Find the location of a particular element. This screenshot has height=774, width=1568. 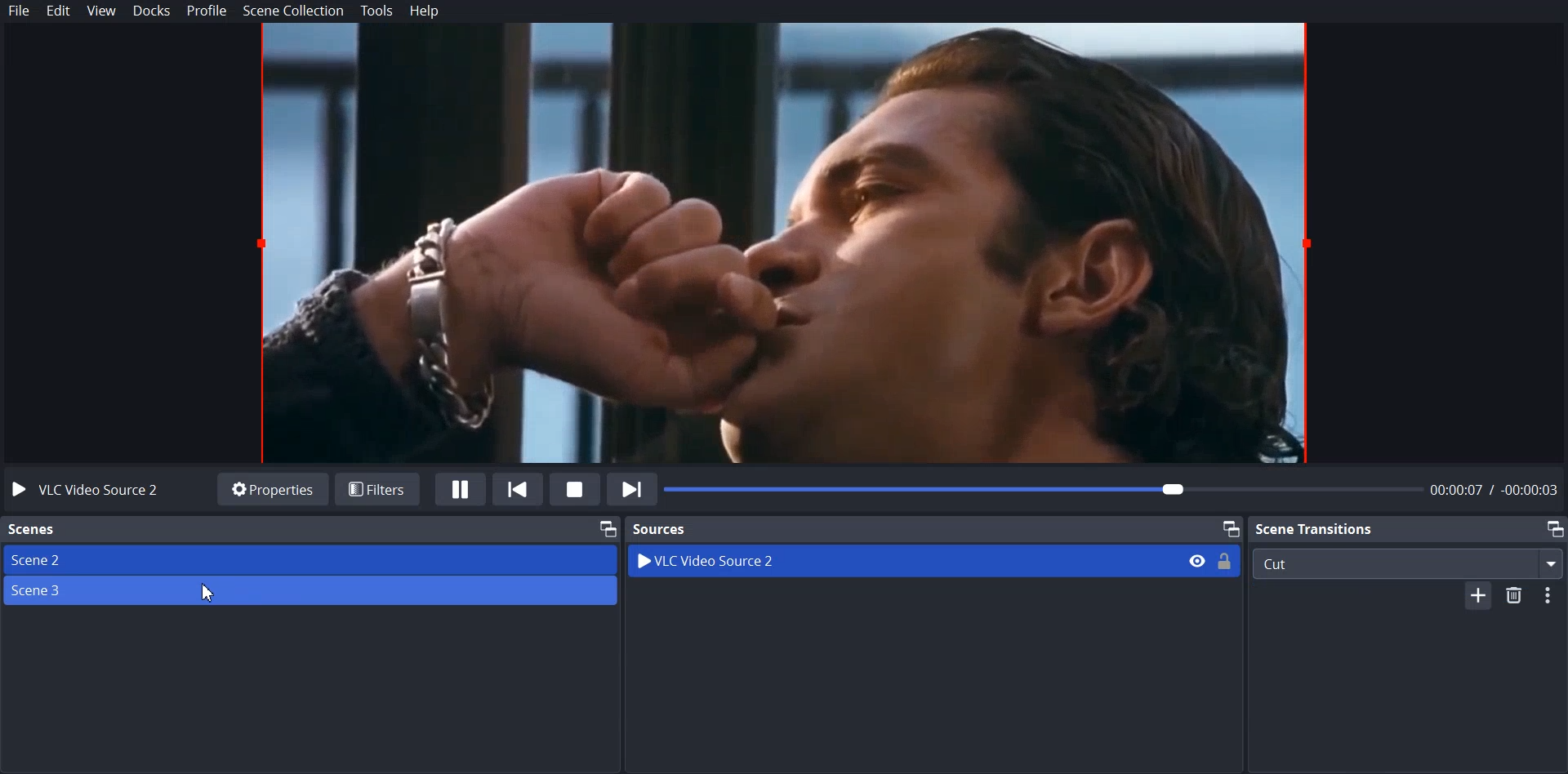

Eye is located at coordinates (1196, 560).